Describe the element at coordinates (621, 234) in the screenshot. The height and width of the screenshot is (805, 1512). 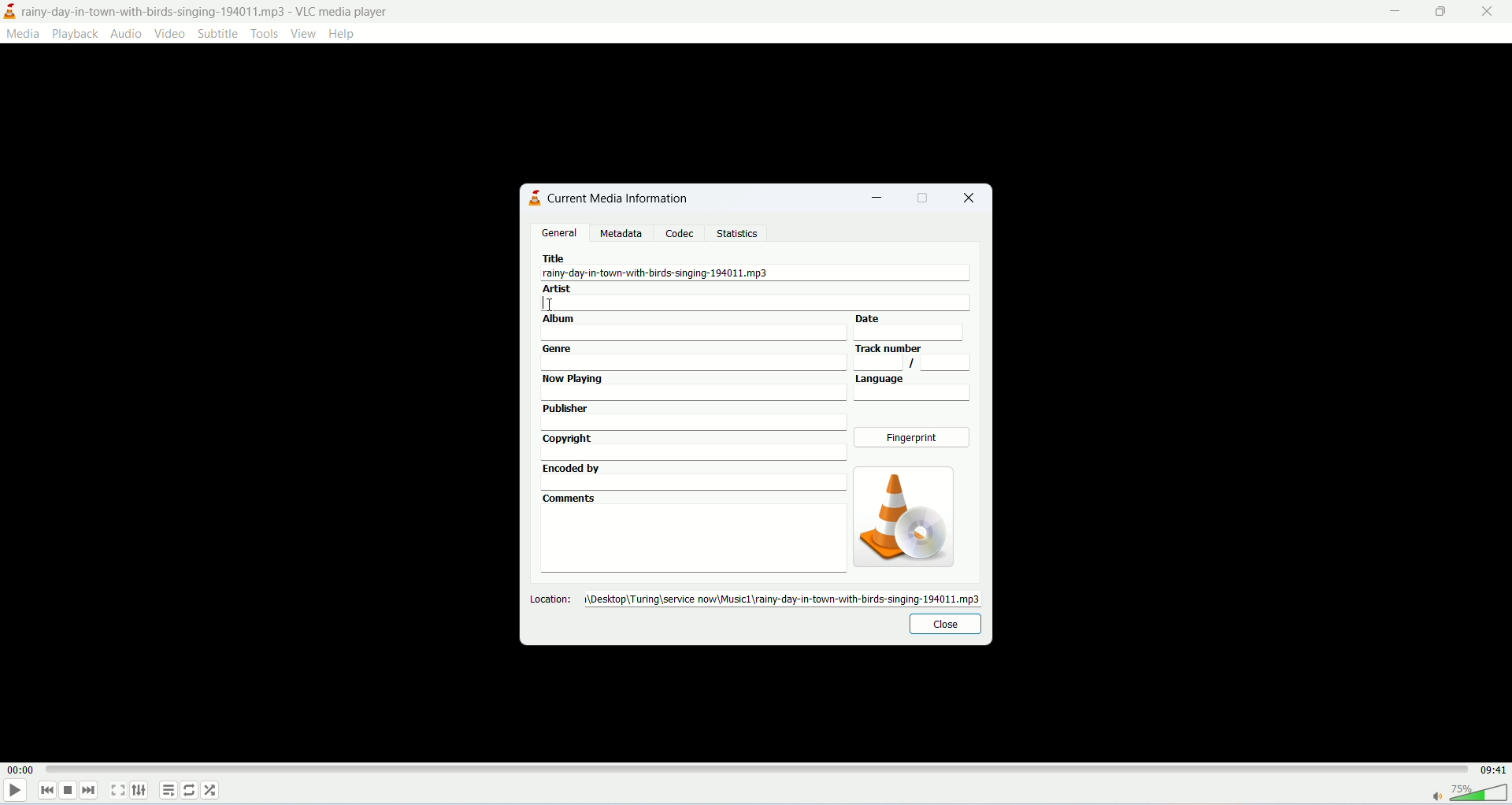
I see `metadata` at that location.